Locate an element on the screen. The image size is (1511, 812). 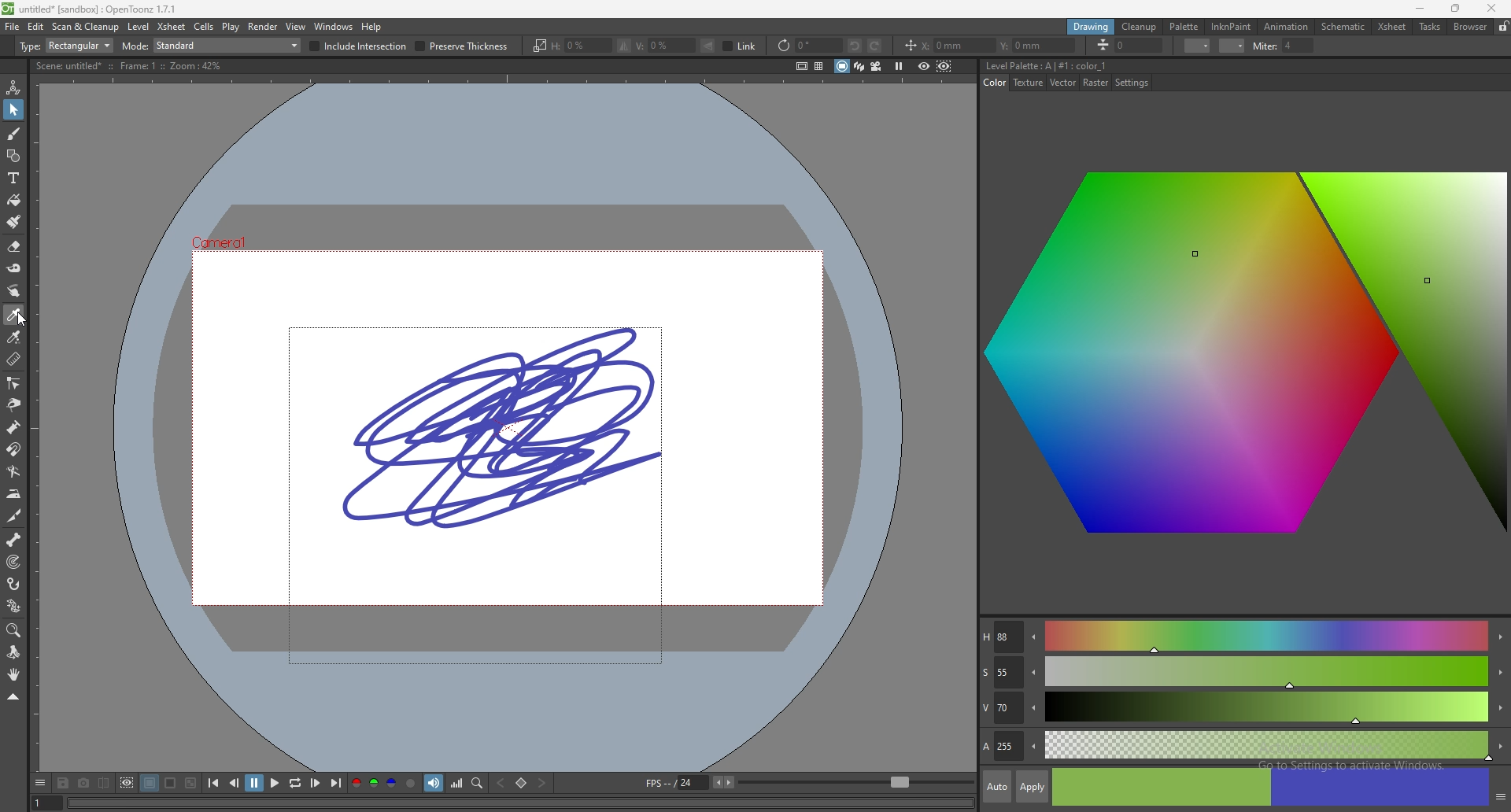
join is located at coordinates (1232, 45).